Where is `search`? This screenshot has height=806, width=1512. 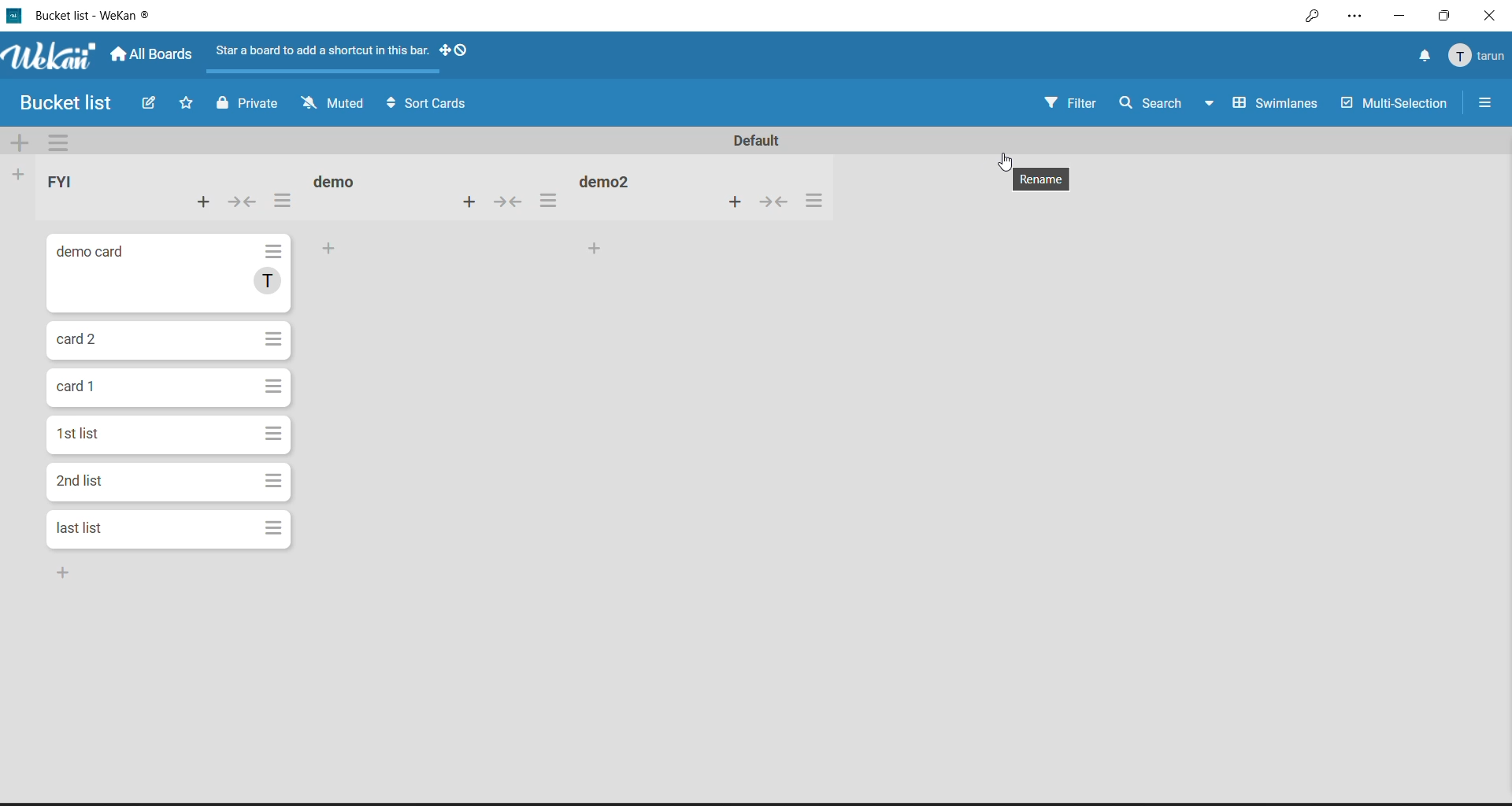 search is located at coordinates (1152, 105).